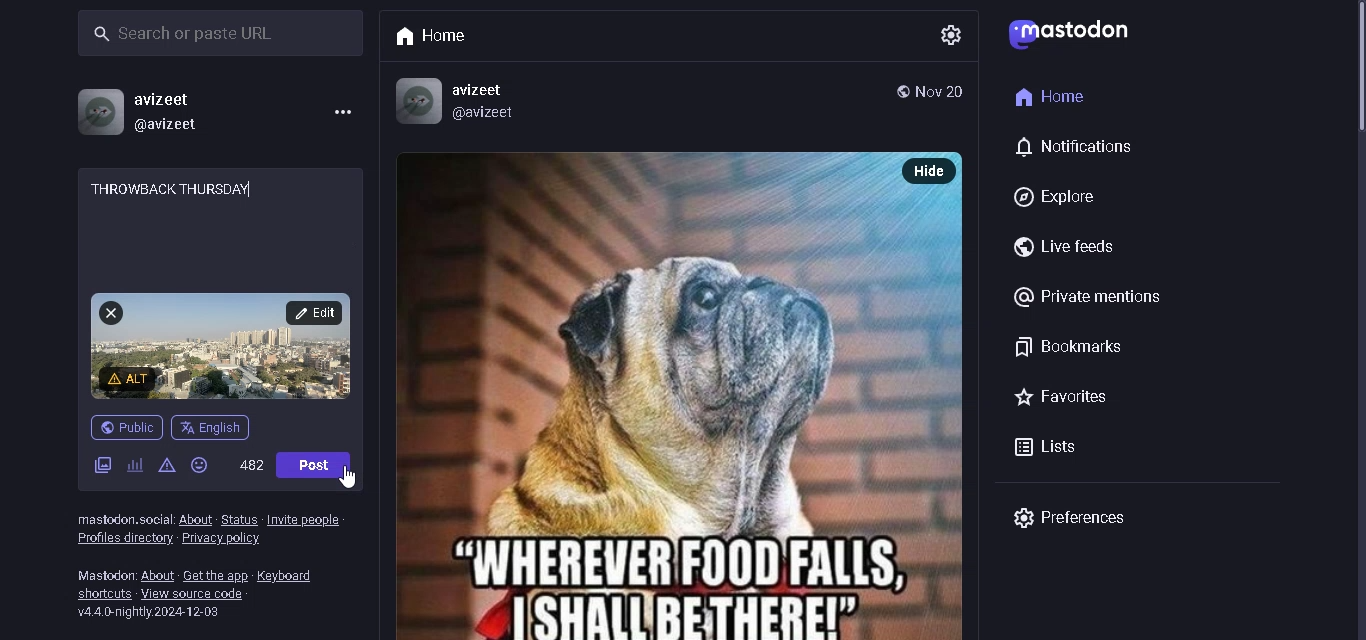  I want to click on about, so click(195, 519).